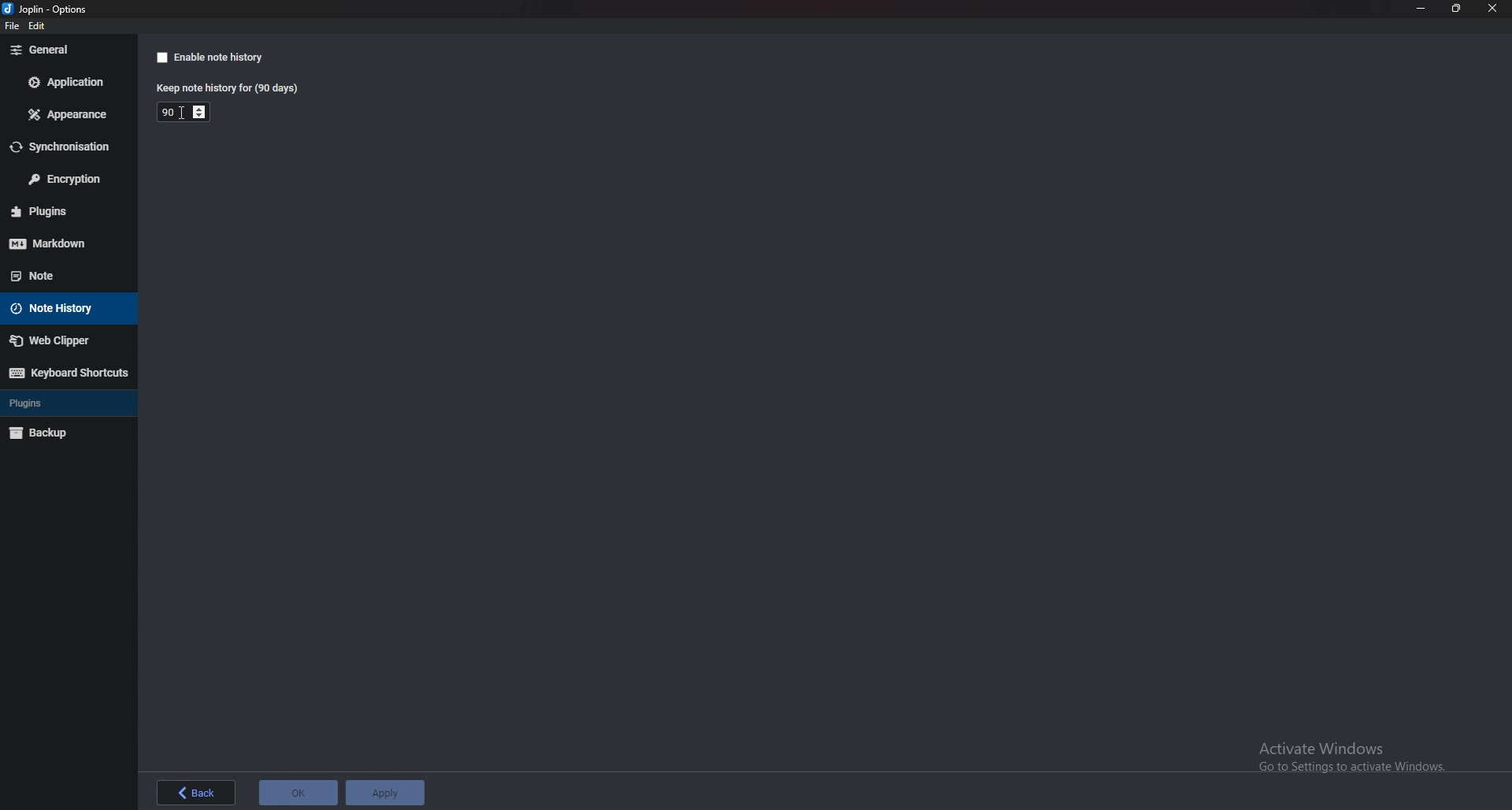  What do you see at coordinates (66, 178) in the screenshot?
I see `Encryption` at bounding box center [66, 178].